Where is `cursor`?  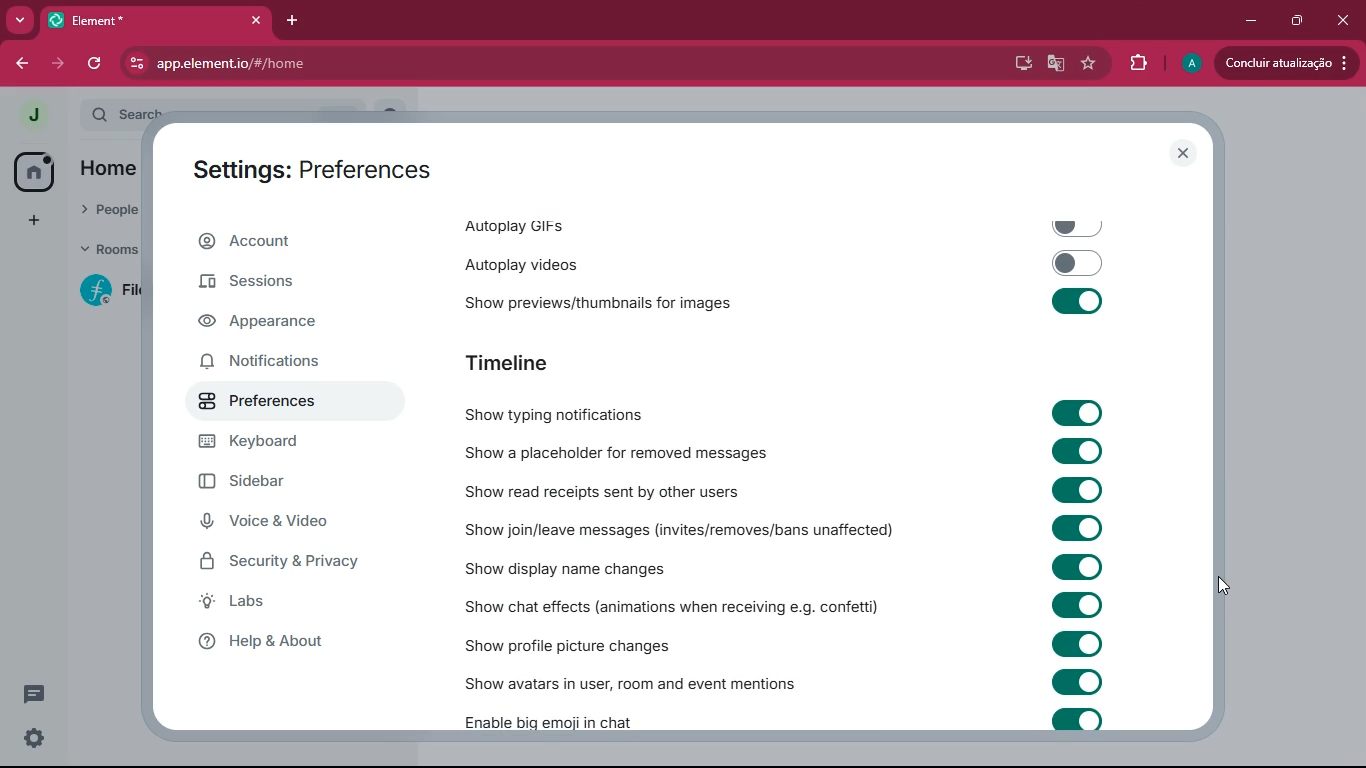 cursor is located at coordinates (1219, 585).